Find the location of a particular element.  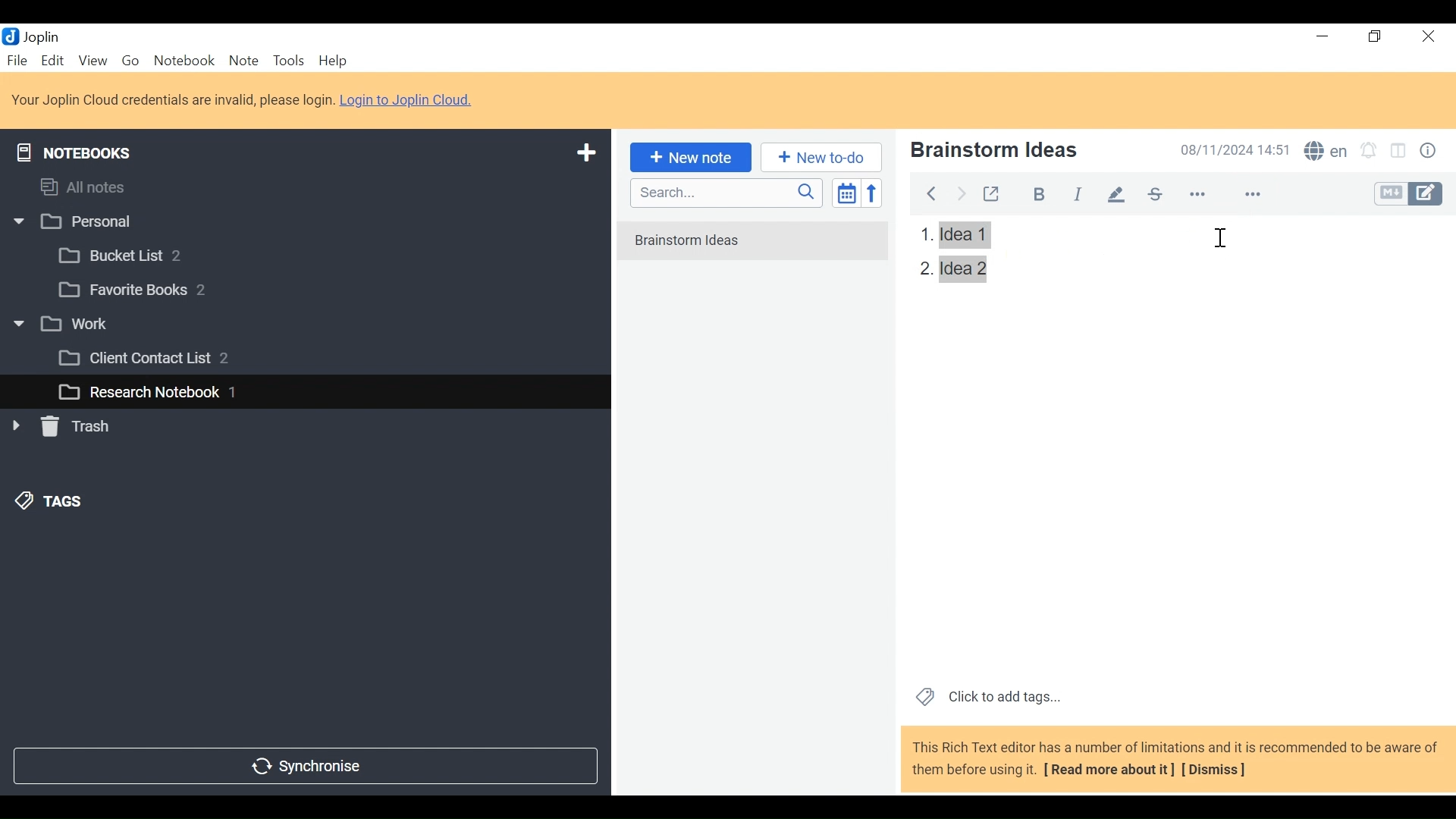

Edit is located at coordinates (54, 60).